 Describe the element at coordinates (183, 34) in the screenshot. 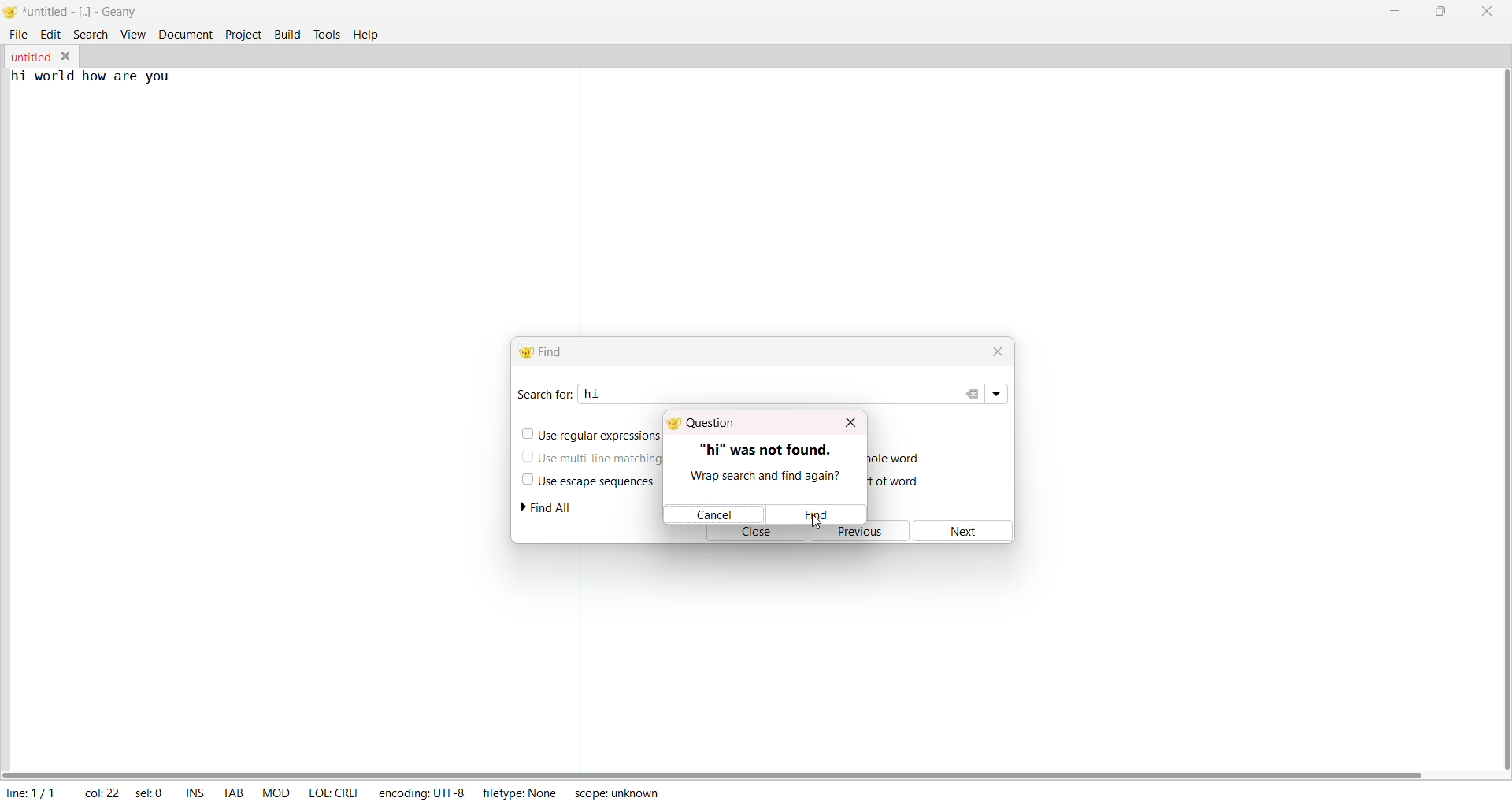

I see `document` at that location.